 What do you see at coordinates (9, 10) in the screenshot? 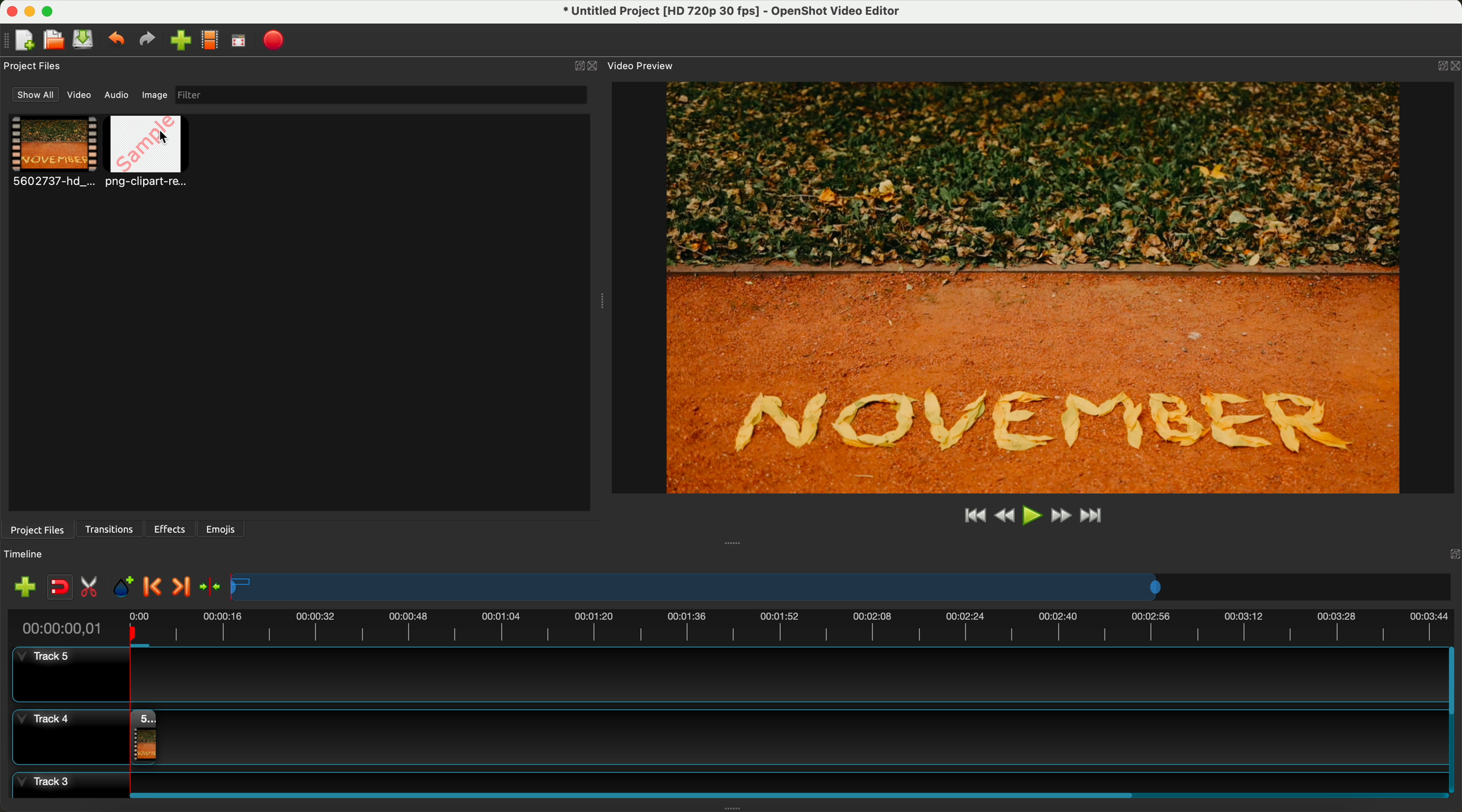
I see `close program` at bounding box center [9, 10].